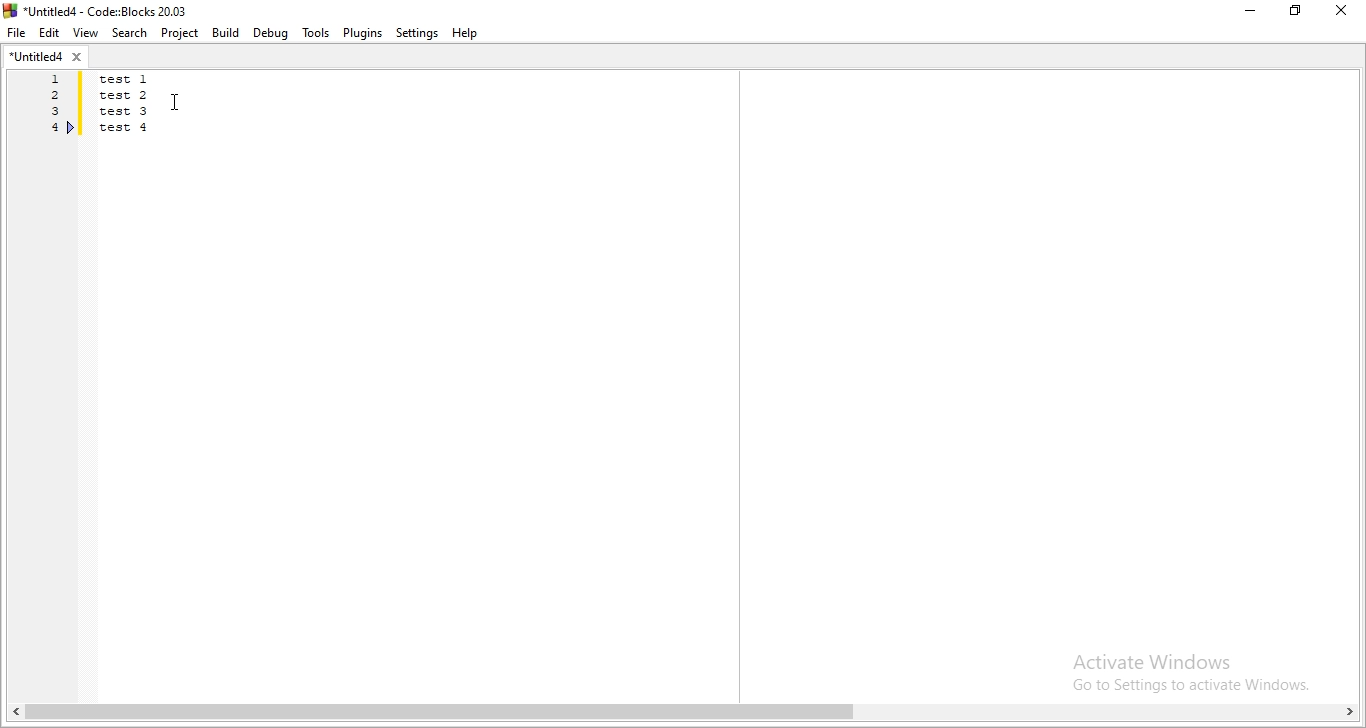 This screenshot has height=728, width=1366. I want to click on Project , so click(178, 34).